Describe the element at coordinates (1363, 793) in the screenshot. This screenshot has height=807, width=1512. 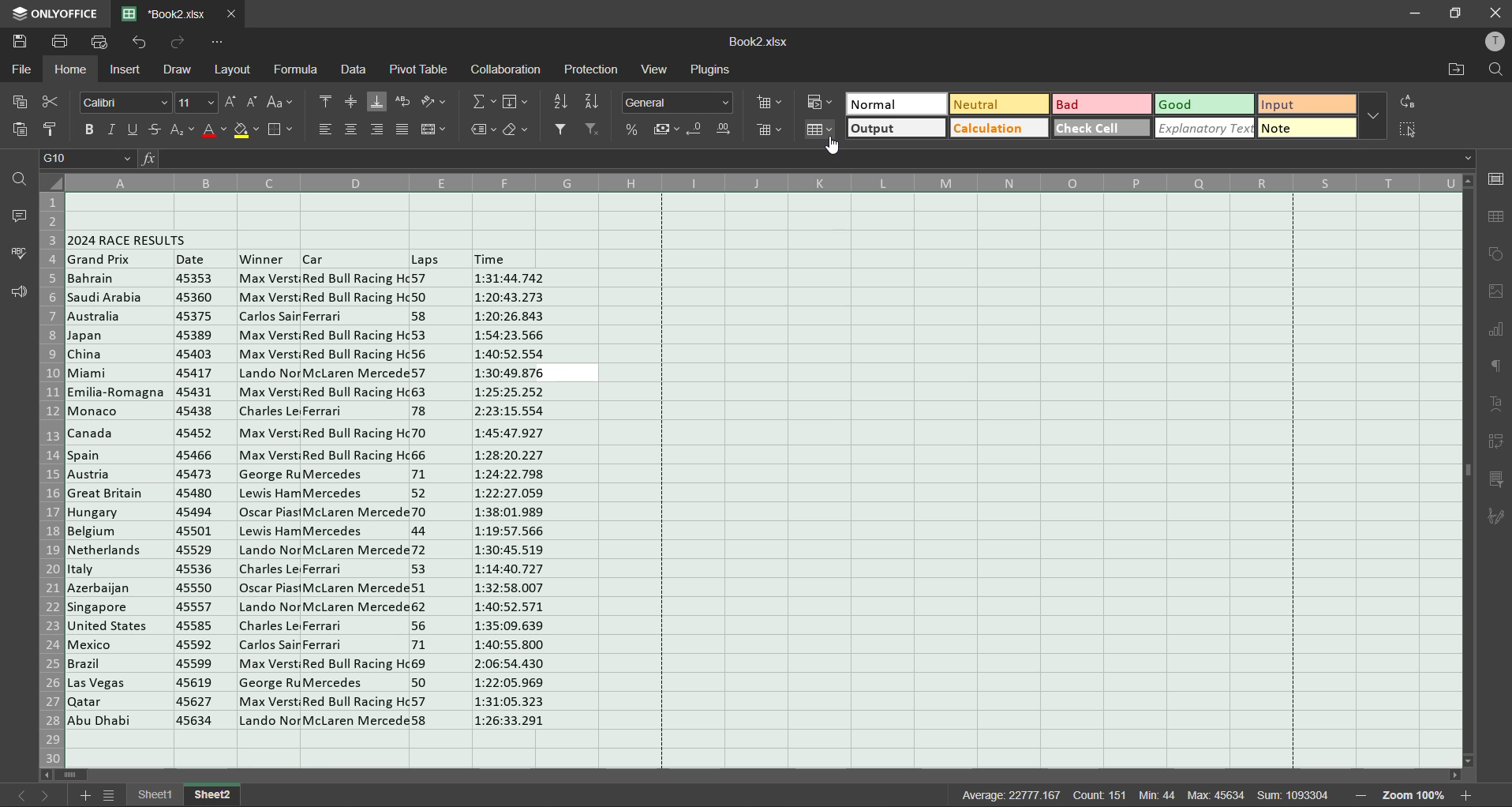
I see `zoom out` at that location.